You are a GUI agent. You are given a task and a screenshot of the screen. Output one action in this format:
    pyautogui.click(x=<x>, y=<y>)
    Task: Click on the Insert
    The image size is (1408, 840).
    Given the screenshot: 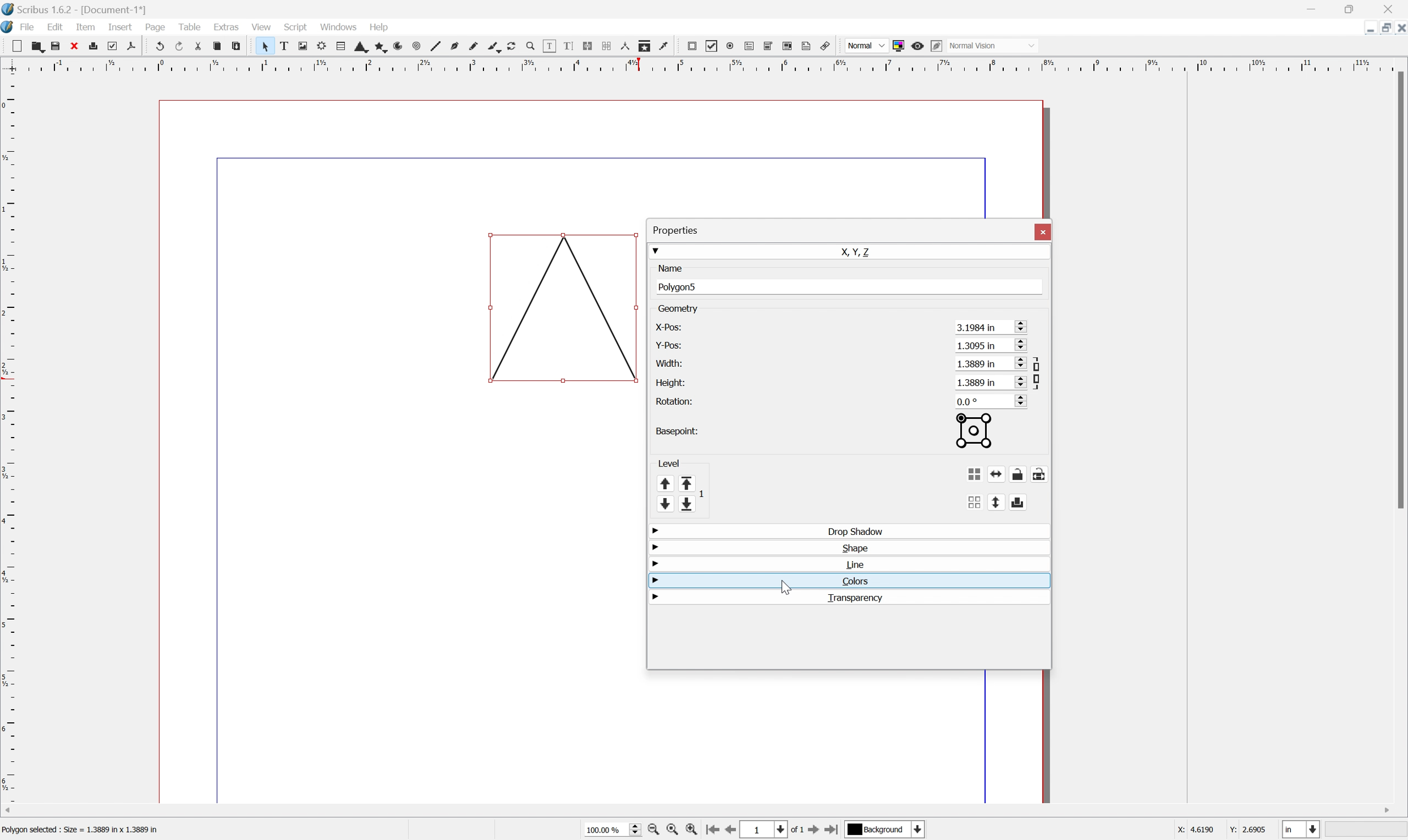 What is the action you would take?
    pyautogui.click(x=121, y=27)
    